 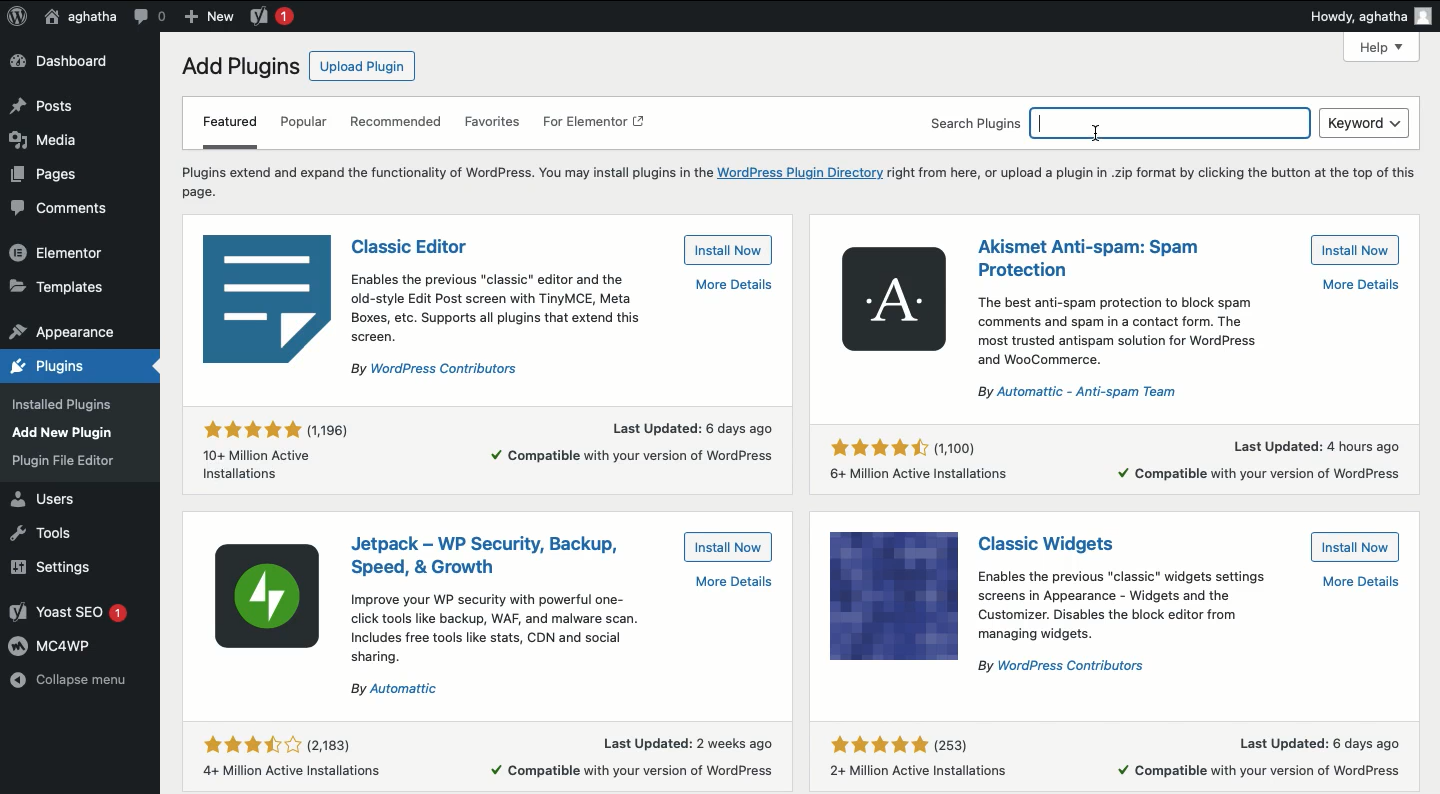 What do you see at coordinates (61, 62) in the screenshot?
I see `Dashboard` at bounding box center [61, 62].